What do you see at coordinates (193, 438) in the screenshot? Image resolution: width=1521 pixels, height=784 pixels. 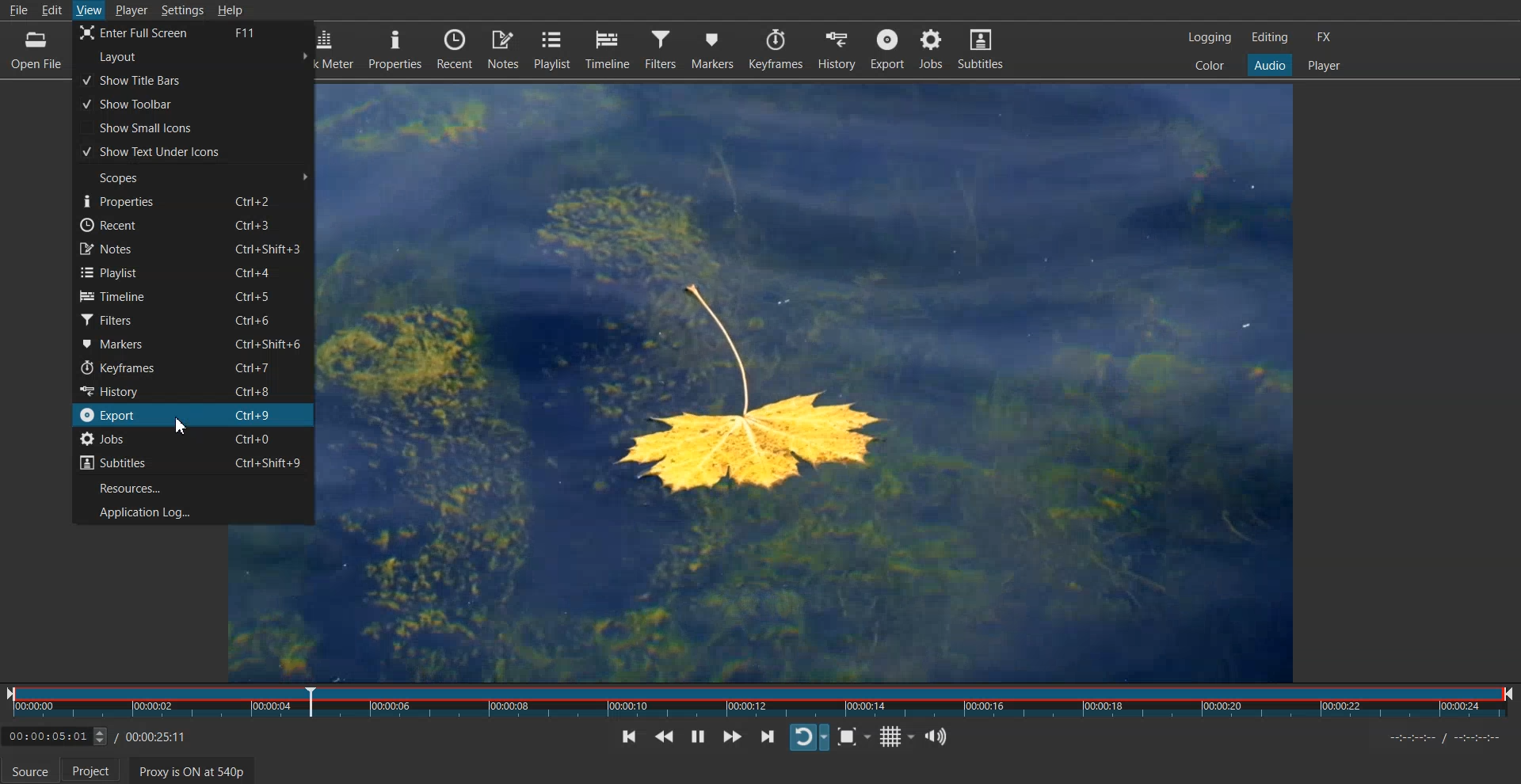 I see `Jobs` at bounding box center [193, 438].